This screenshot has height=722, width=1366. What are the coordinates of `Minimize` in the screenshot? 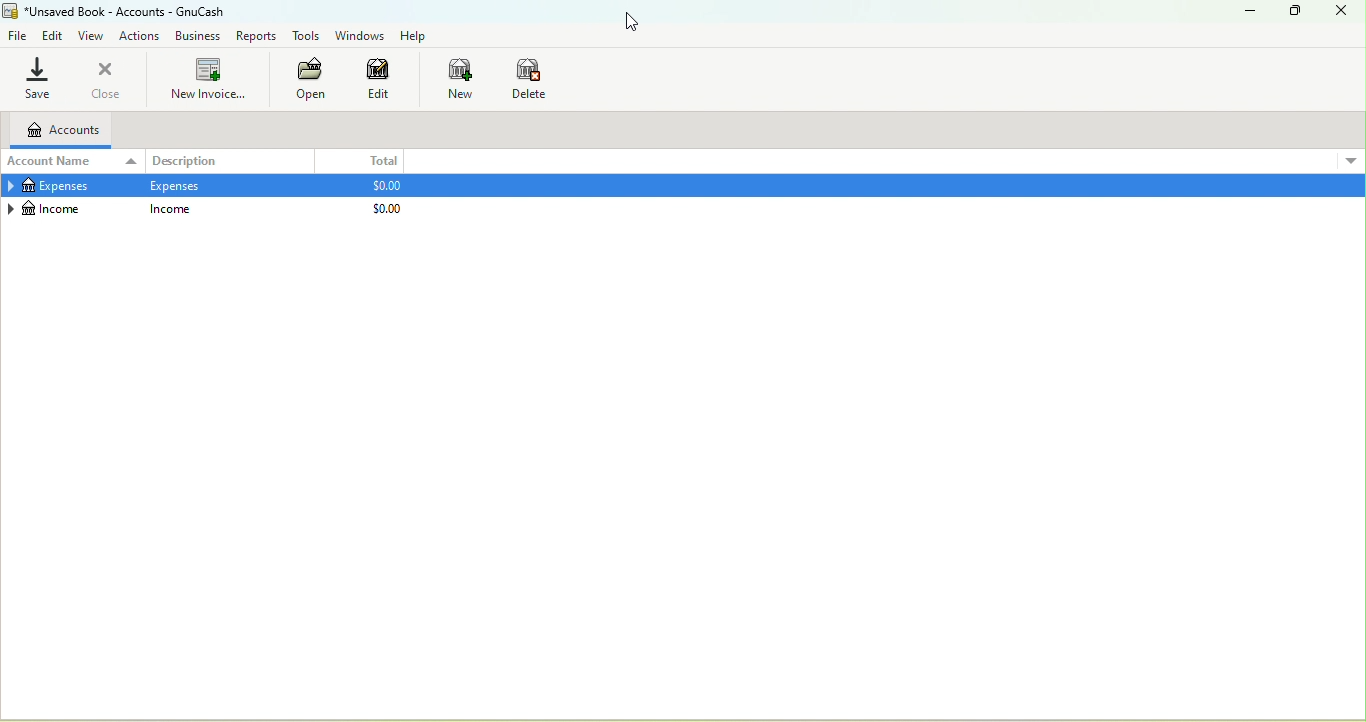 It's located at (1248, 13).